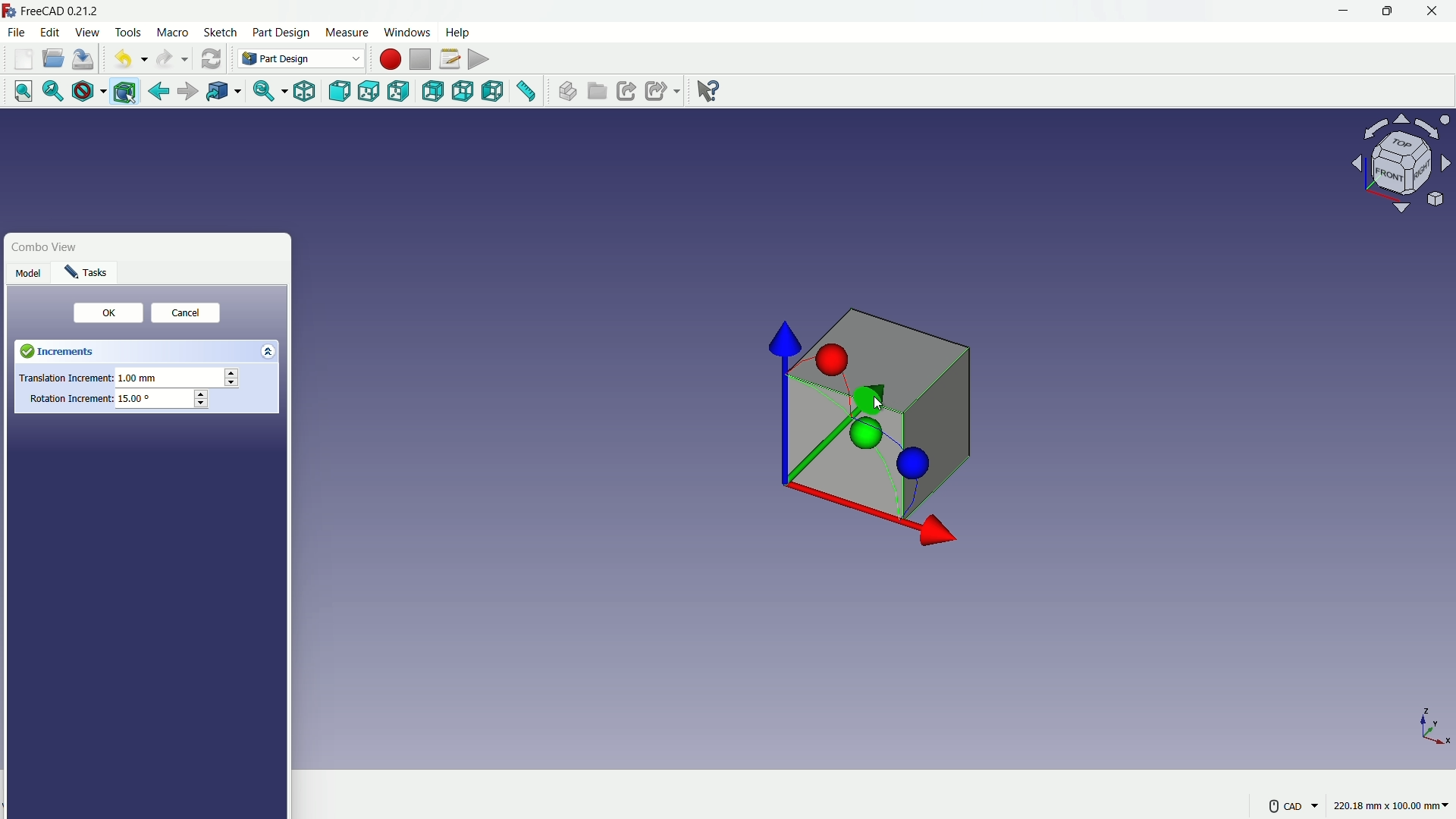  I want to click on go back, so click(159, 92).